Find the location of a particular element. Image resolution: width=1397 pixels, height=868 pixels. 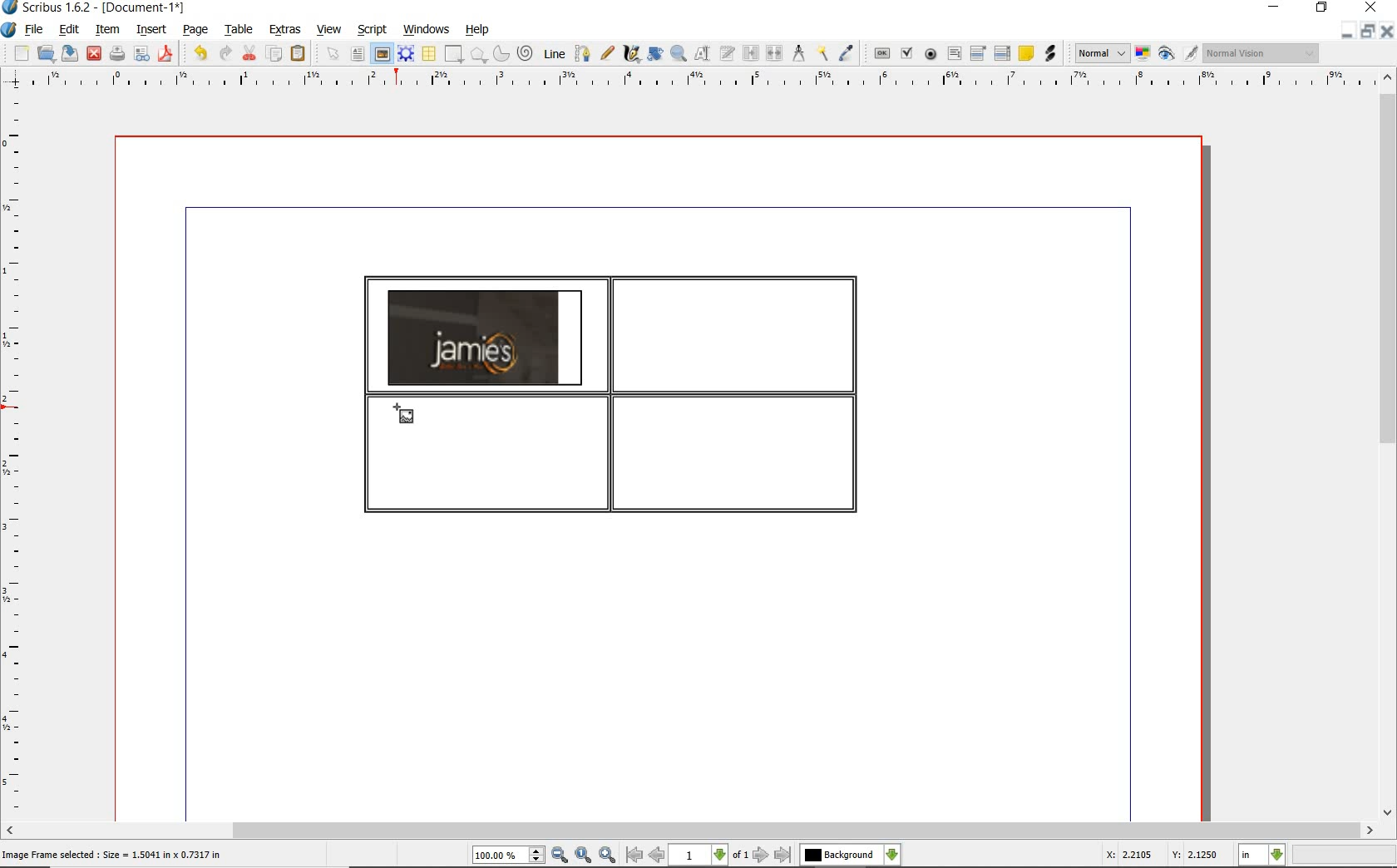

edit is located at coordinates (67, 30).